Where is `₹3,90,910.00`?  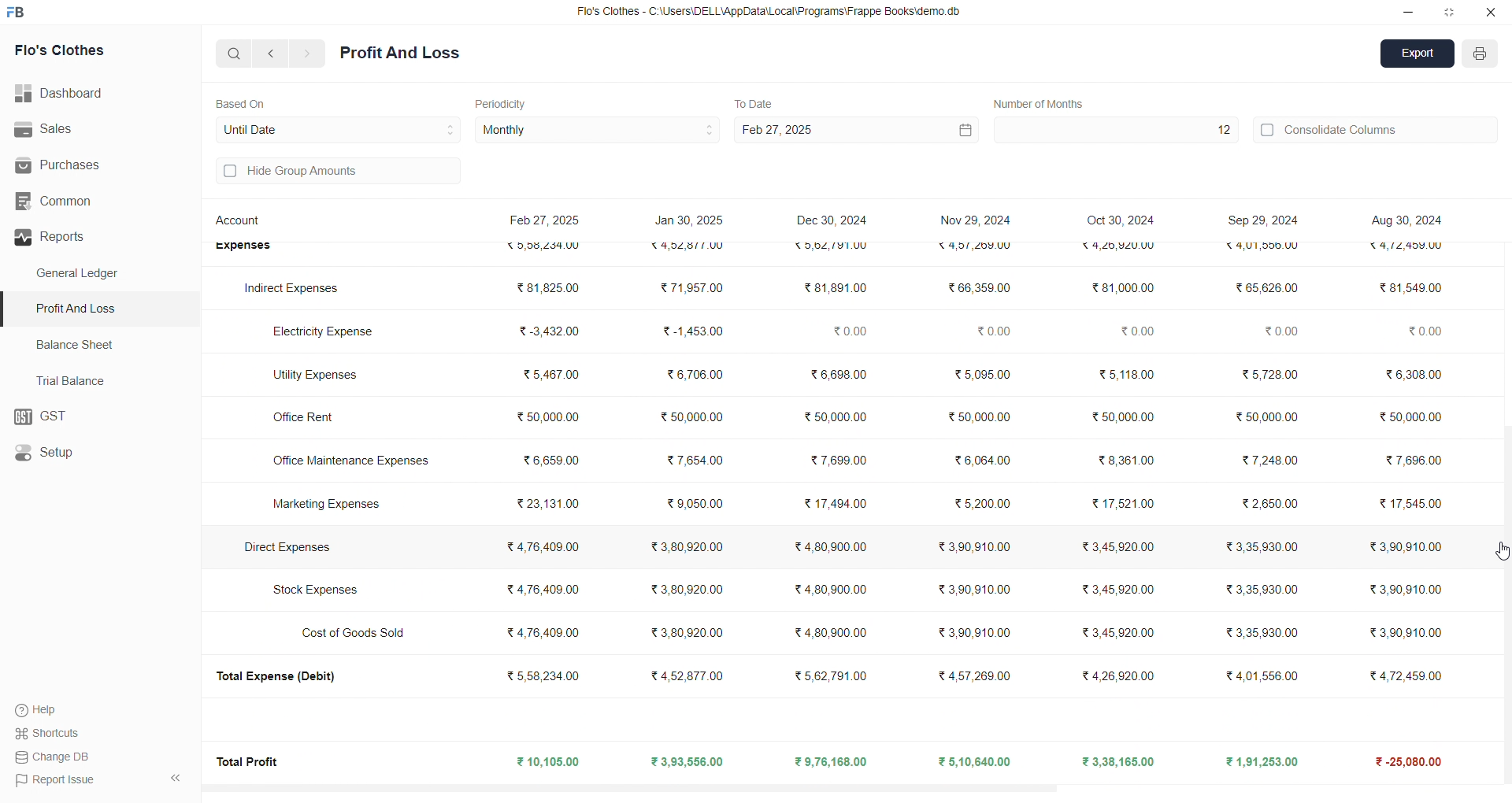
₹3,90,910.00 is located at coordinates (1400, 590).